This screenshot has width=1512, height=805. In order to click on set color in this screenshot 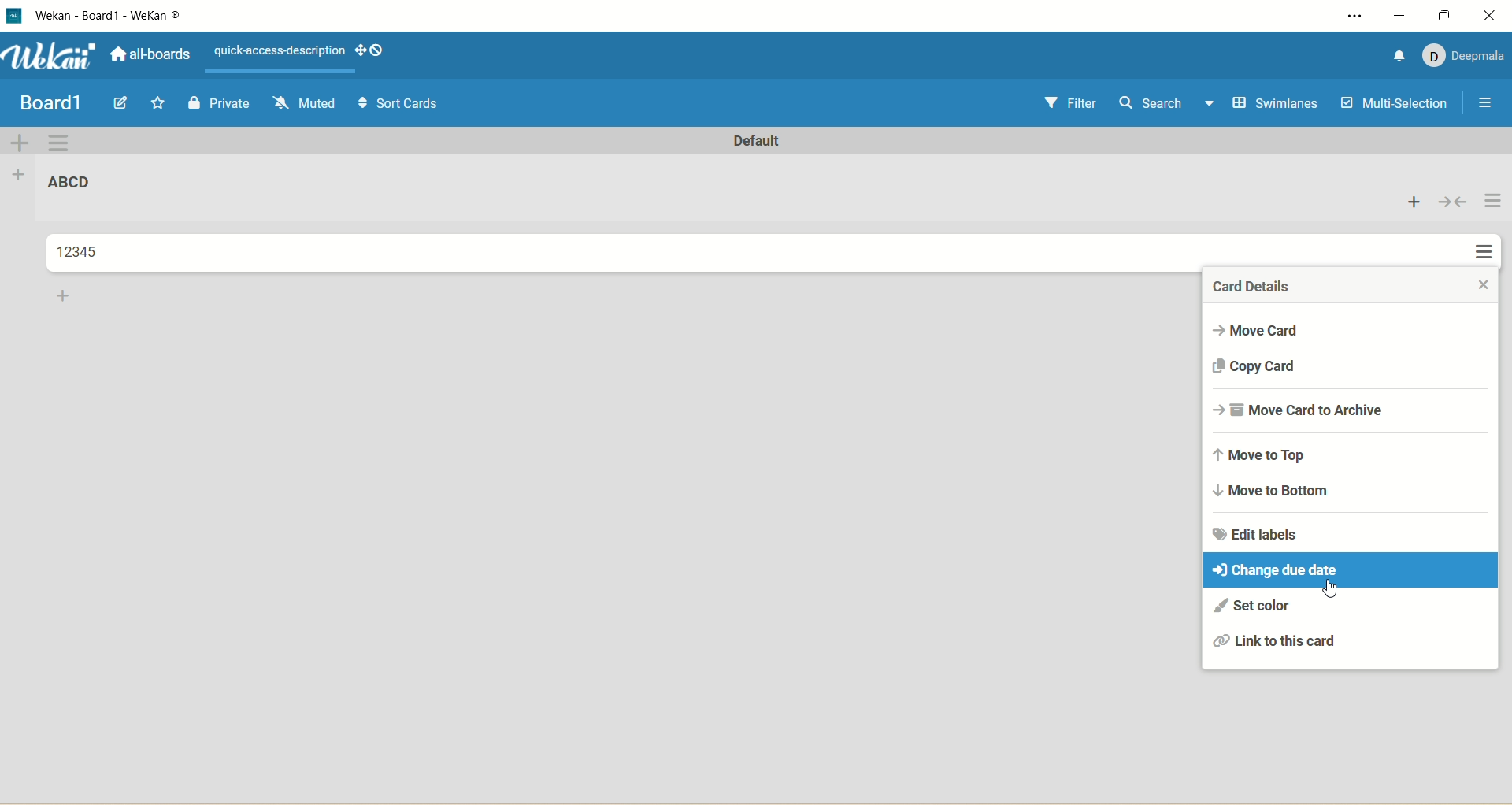, I will do `click(1251, 607)`.